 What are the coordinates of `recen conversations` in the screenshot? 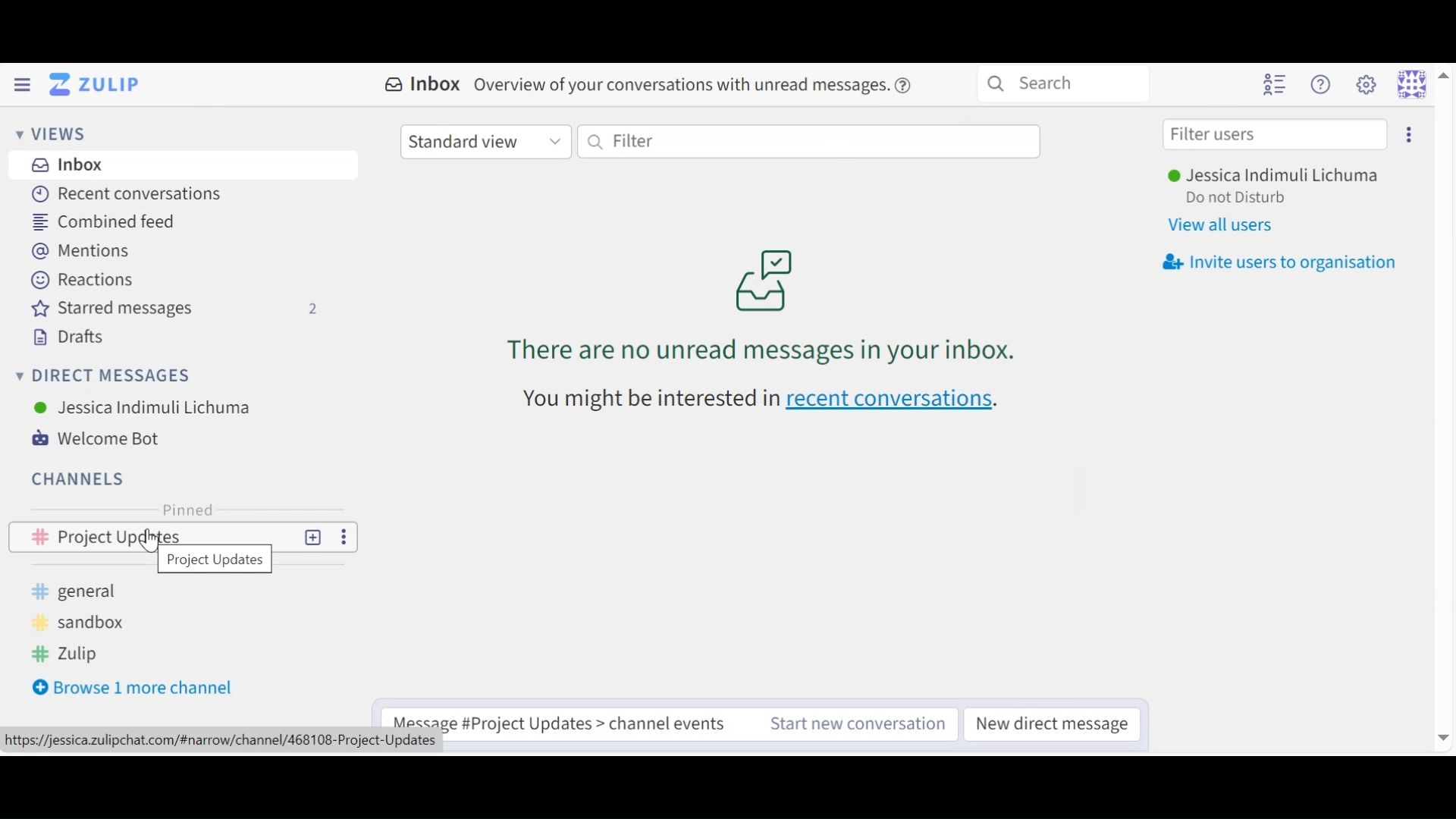 It's located at (781, 400).